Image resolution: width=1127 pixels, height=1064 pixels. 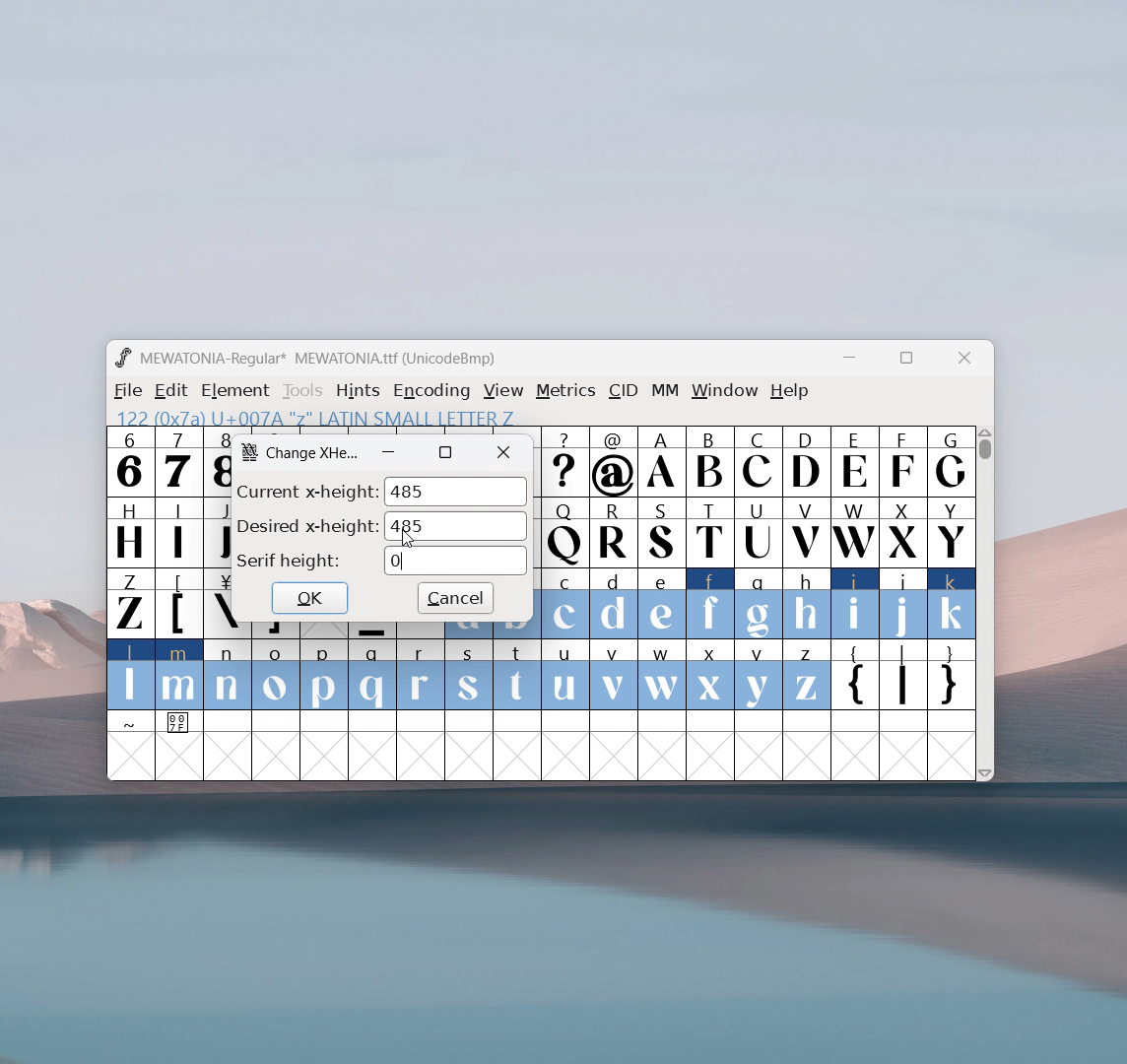 I want to click on [, so click(x=179, y=604).